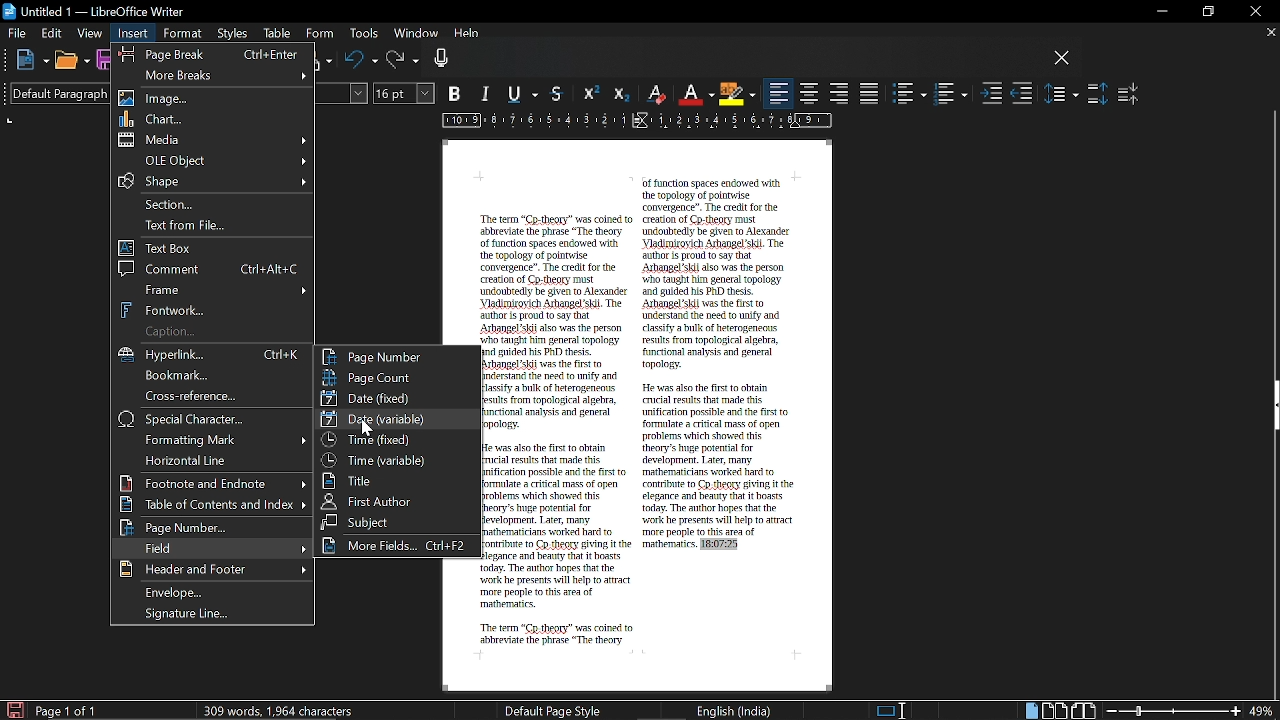 This screenshot has width=1280, height=720. Describe the element at coordinates (214, 118) in the screenshot. I see `Chart` at that location.